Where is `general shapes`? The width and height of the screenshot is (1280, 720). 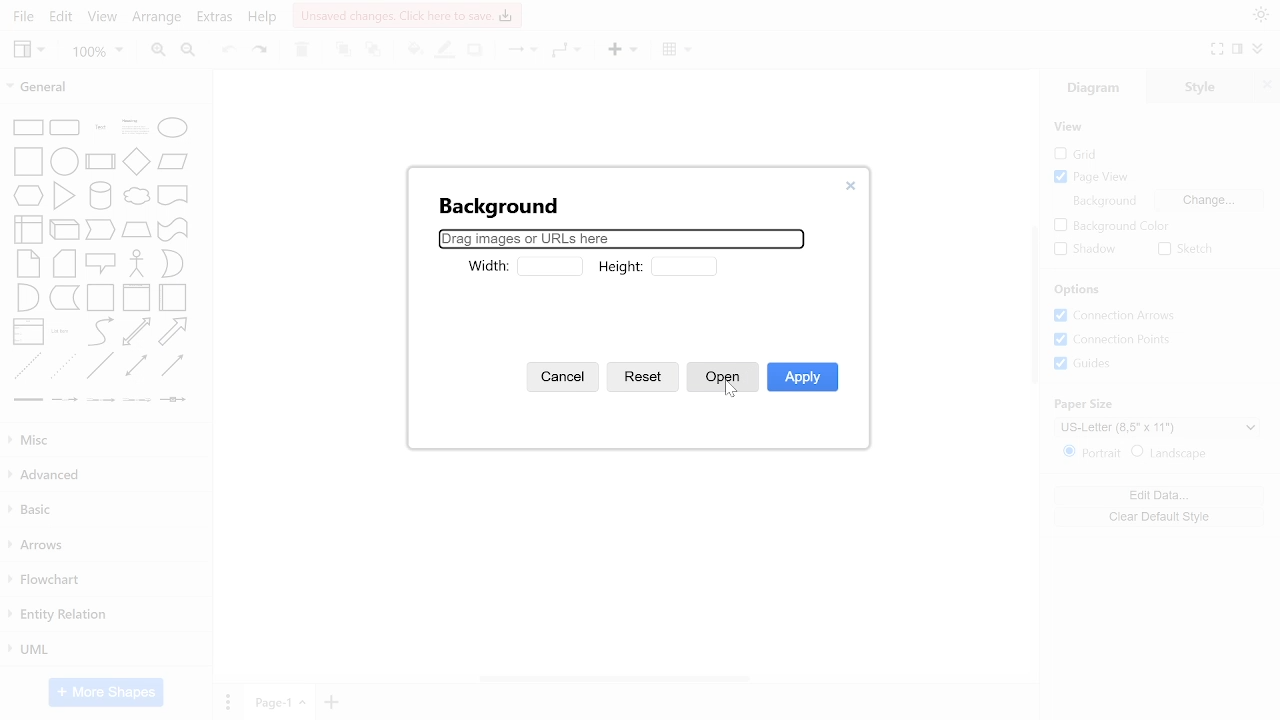
general shapes is located at coordinates (173, 161).